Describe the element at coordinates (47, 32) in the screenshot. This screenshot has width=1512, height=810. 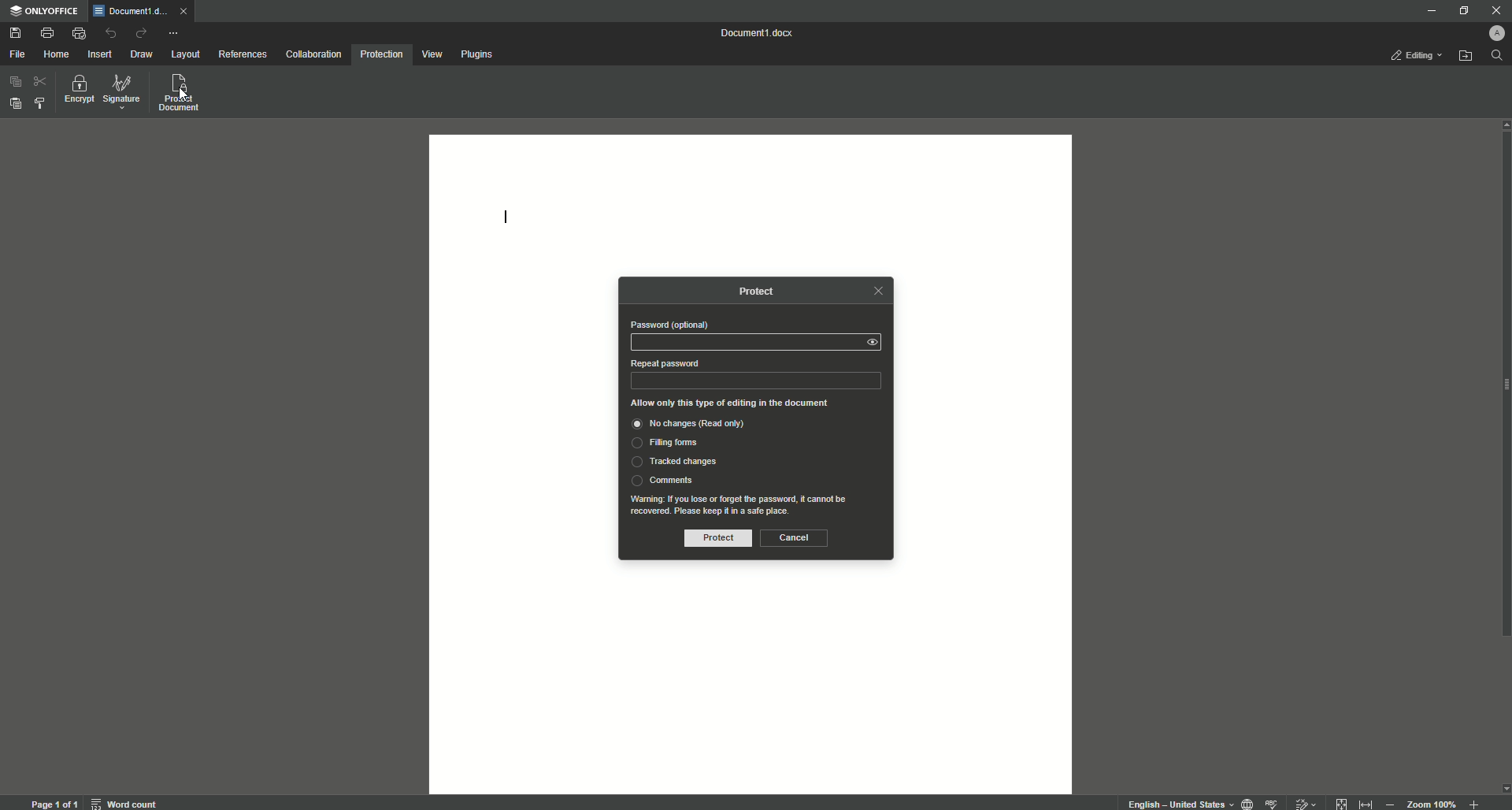
I see `Print` at that location.